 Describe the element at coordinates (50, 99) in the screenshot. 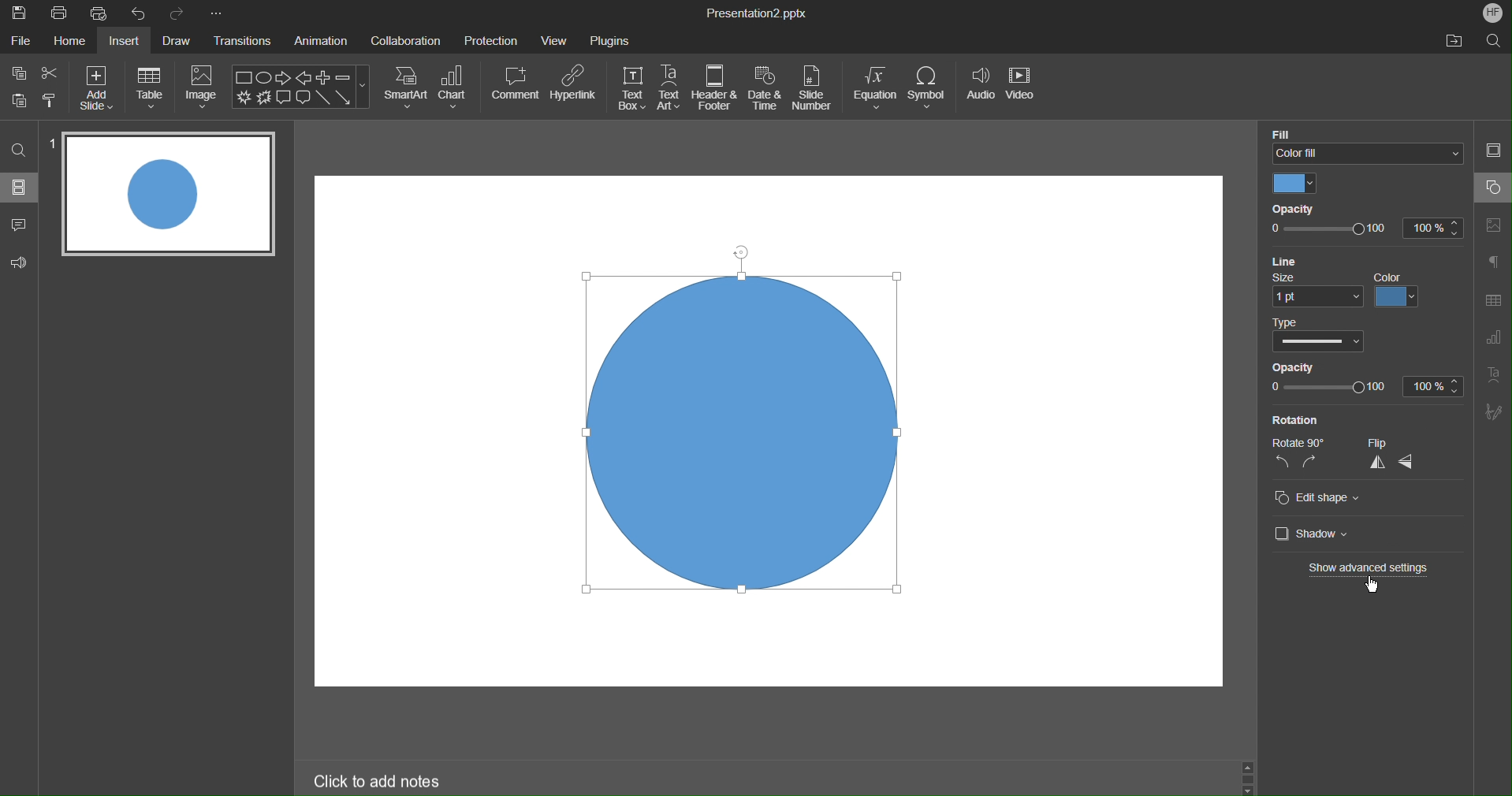

I see `Copy Style` at that location.